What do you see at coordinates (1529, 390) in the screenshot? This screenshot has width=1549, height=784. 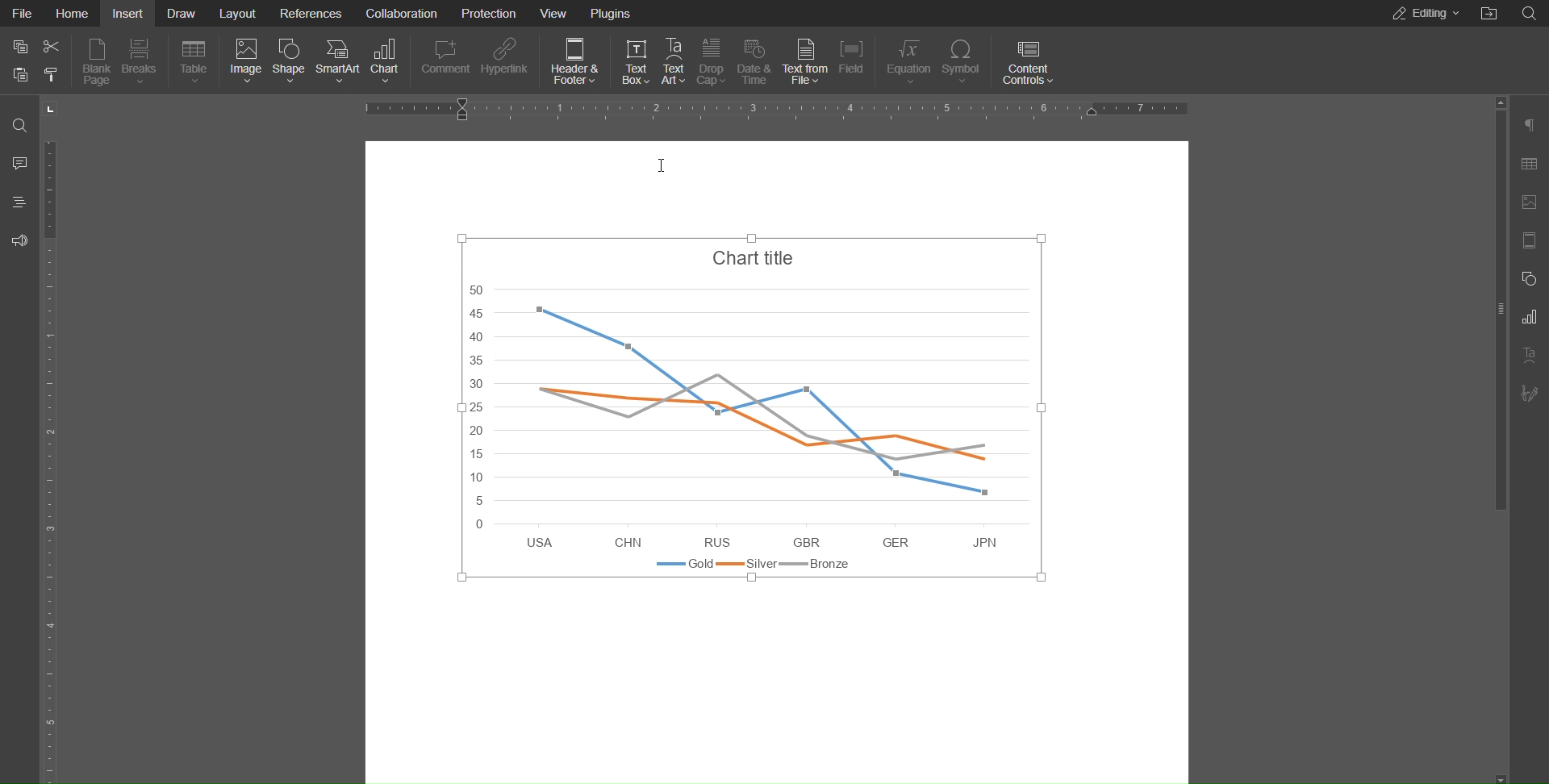 I see `Signature` at bounding box center [1529, 390].